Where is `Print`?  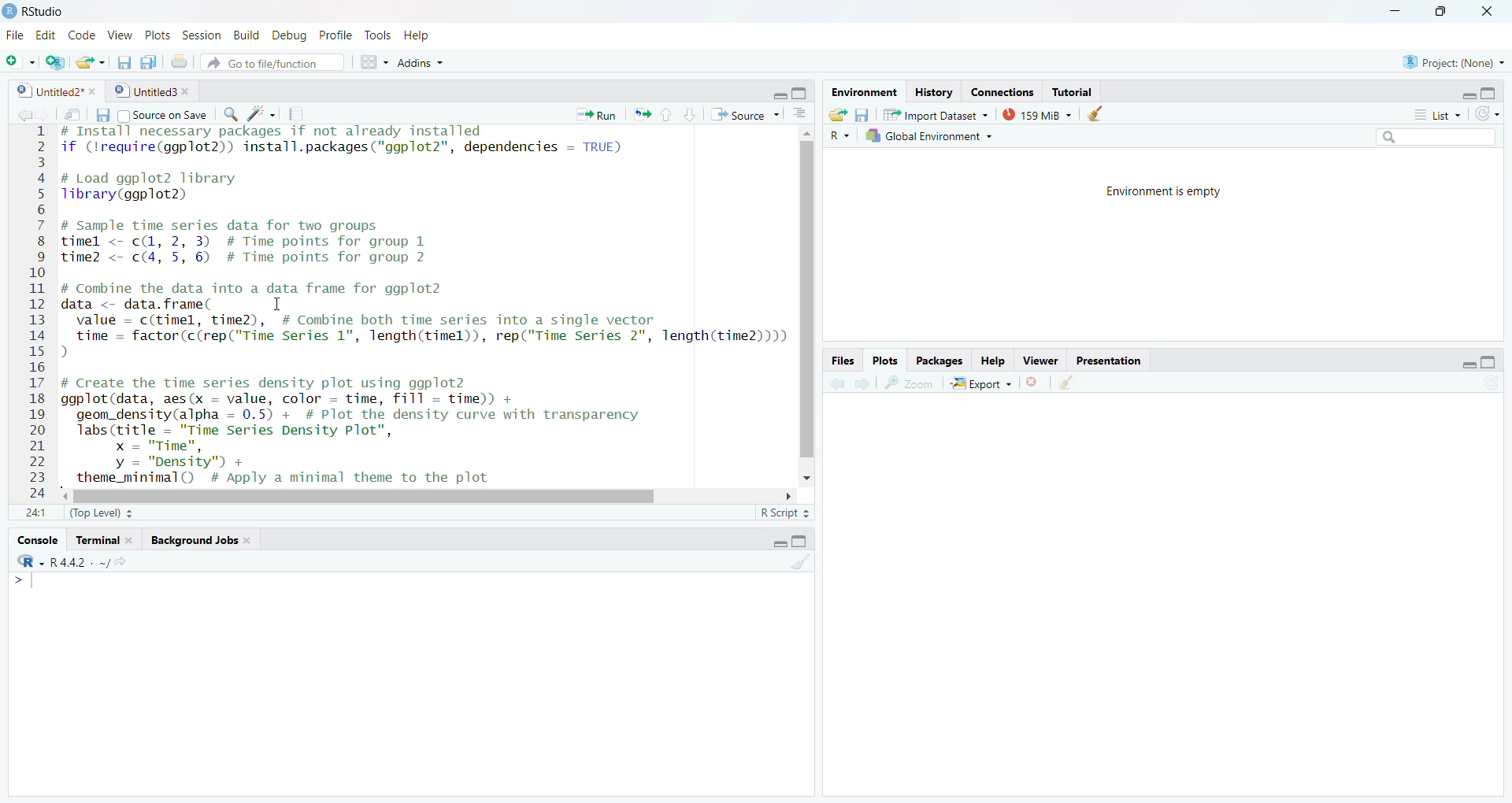 Print is located at coordinates (179, 62).